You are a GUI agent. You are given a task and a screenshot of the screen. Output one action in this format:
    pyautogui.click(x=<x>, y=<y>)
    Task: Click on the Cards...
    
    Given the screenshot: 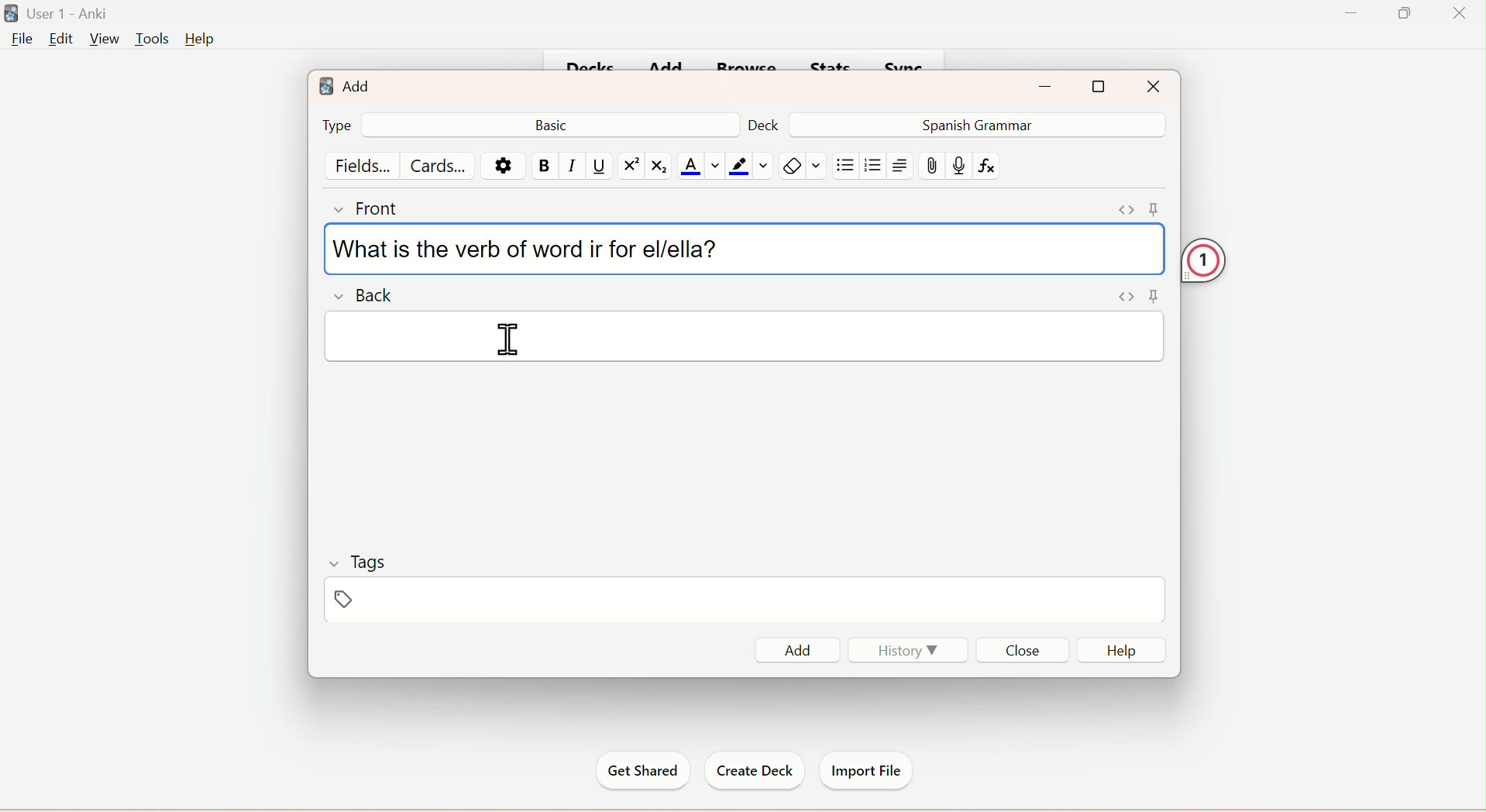 What is the action you would take?
    pyautogui.click(x=441, y=165)
    